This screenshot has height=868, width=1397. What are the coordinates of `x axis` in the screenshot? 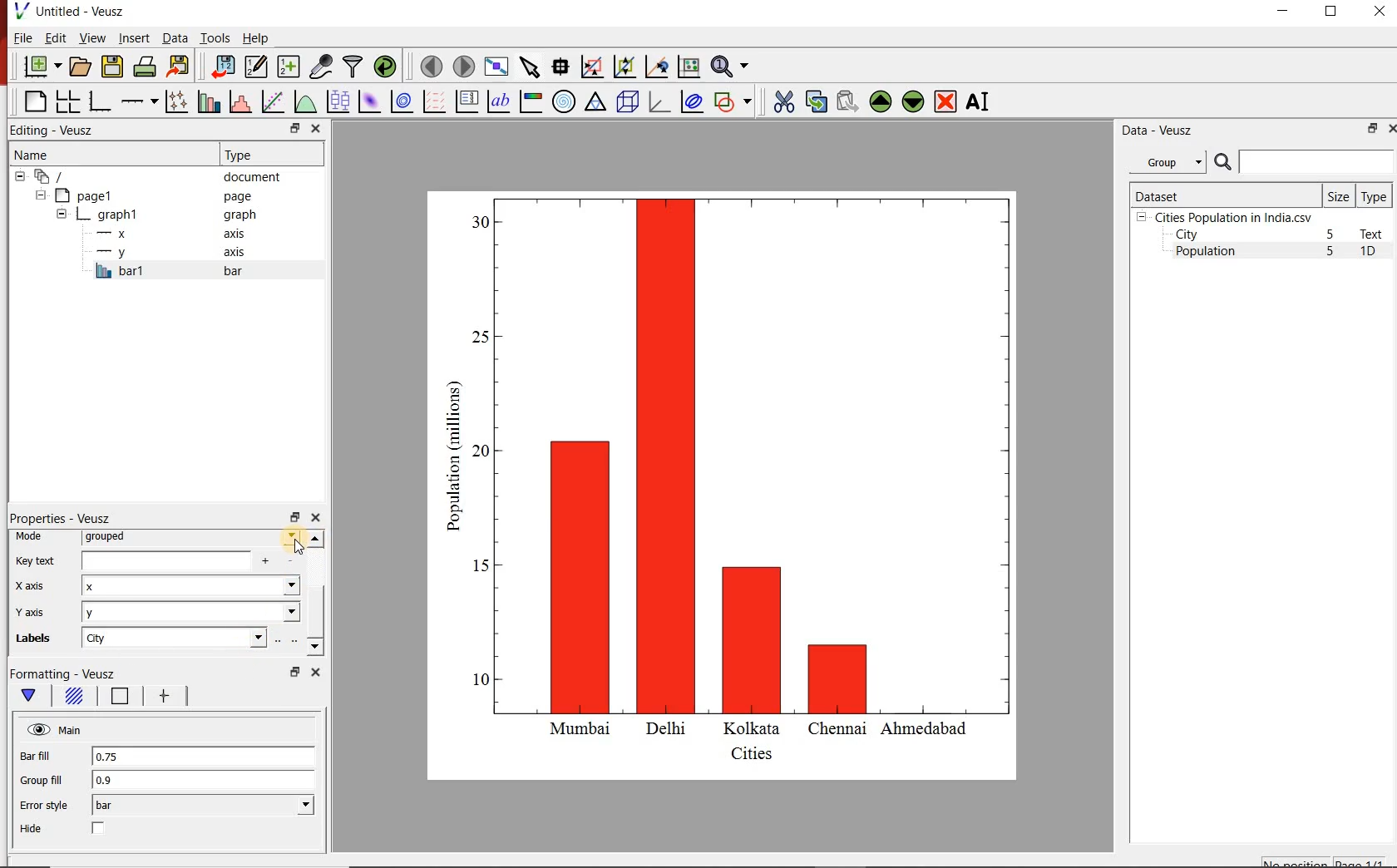 It's located at (173, 234).